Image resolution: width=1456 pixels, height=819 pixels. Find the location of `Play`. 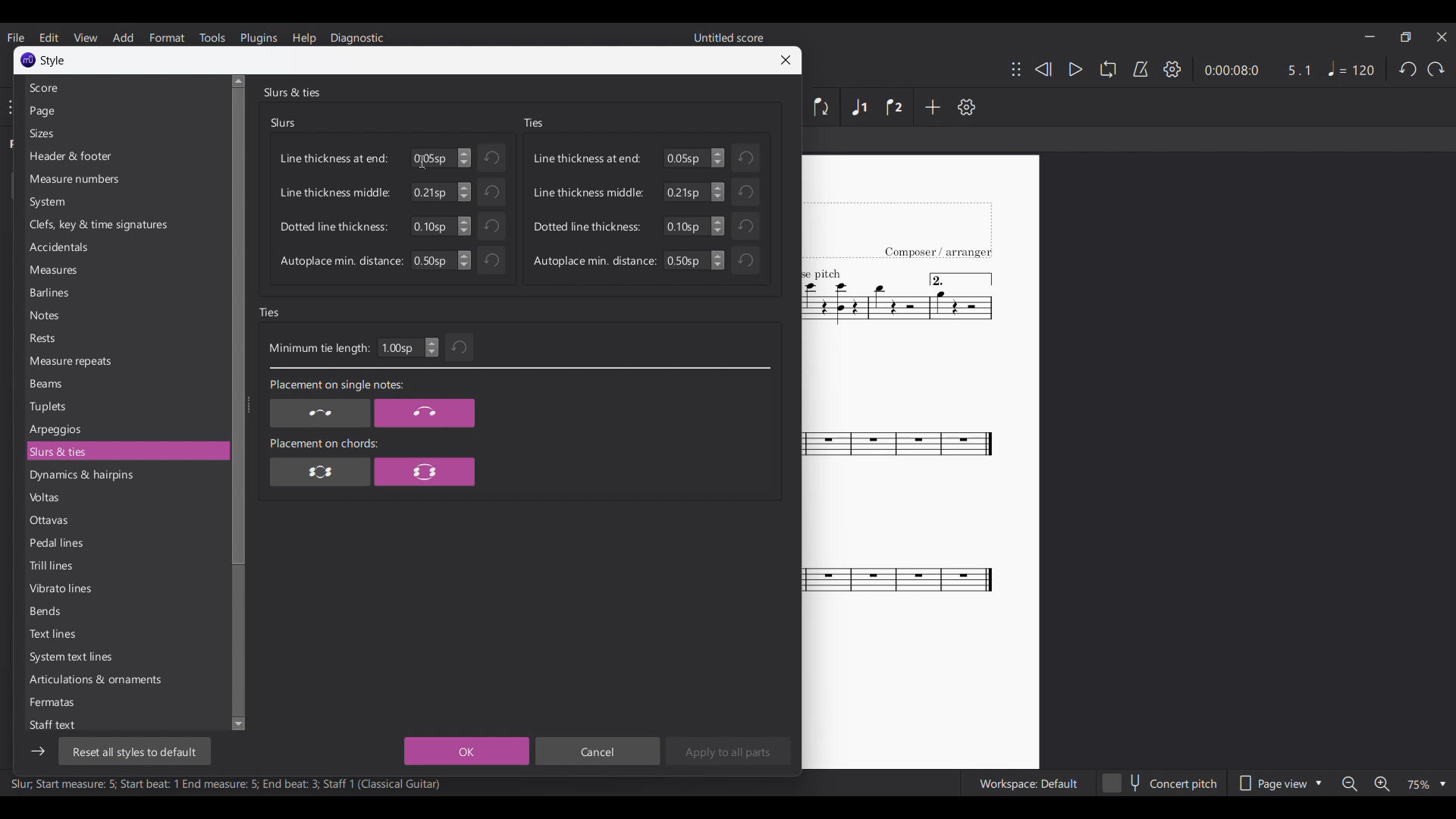

Play is located at coordinates (1069, 69).